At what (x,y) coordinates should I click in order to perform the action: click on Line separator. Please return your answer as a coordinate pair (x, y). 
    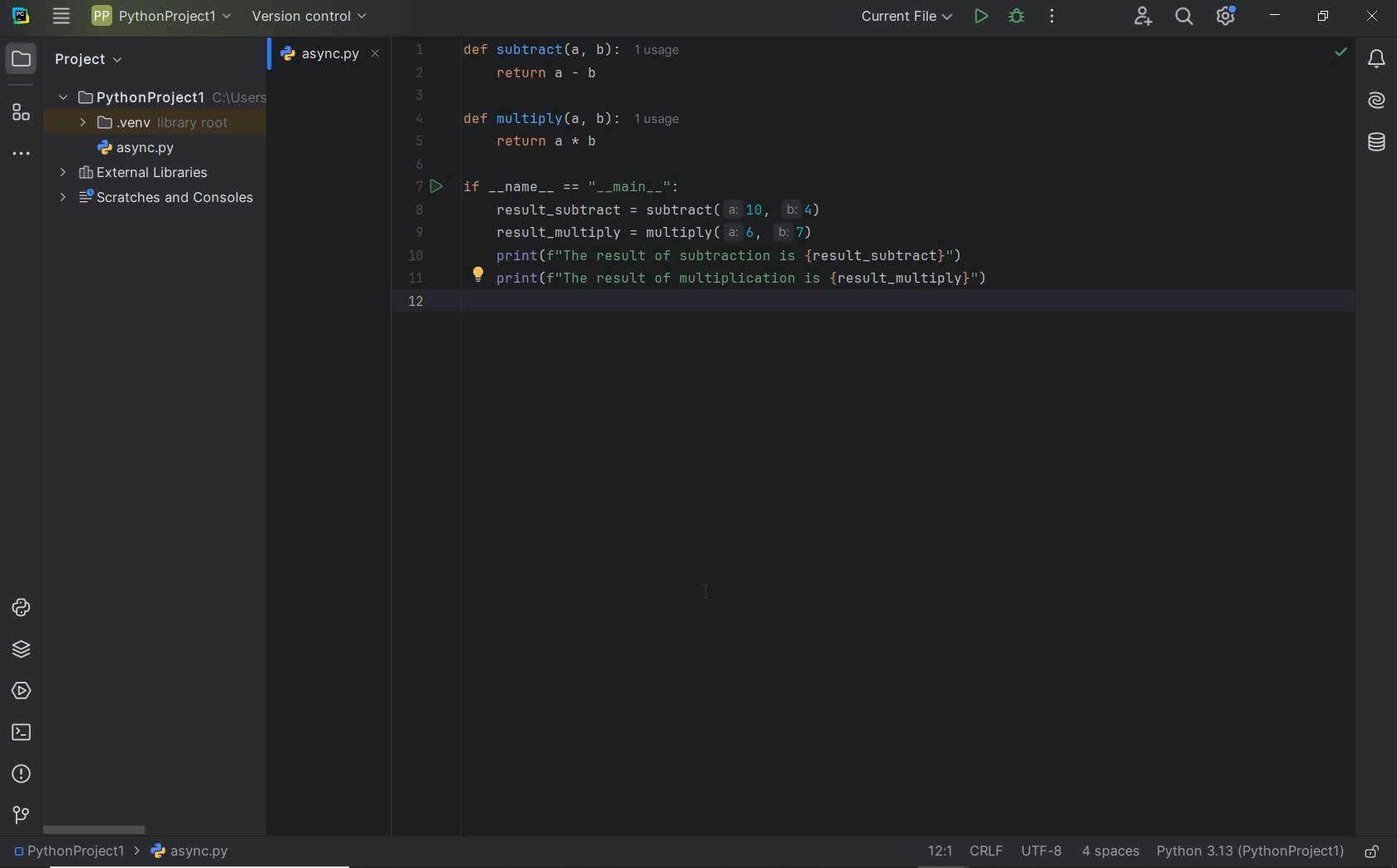
    Looking at the image, I should click on (985, 851).